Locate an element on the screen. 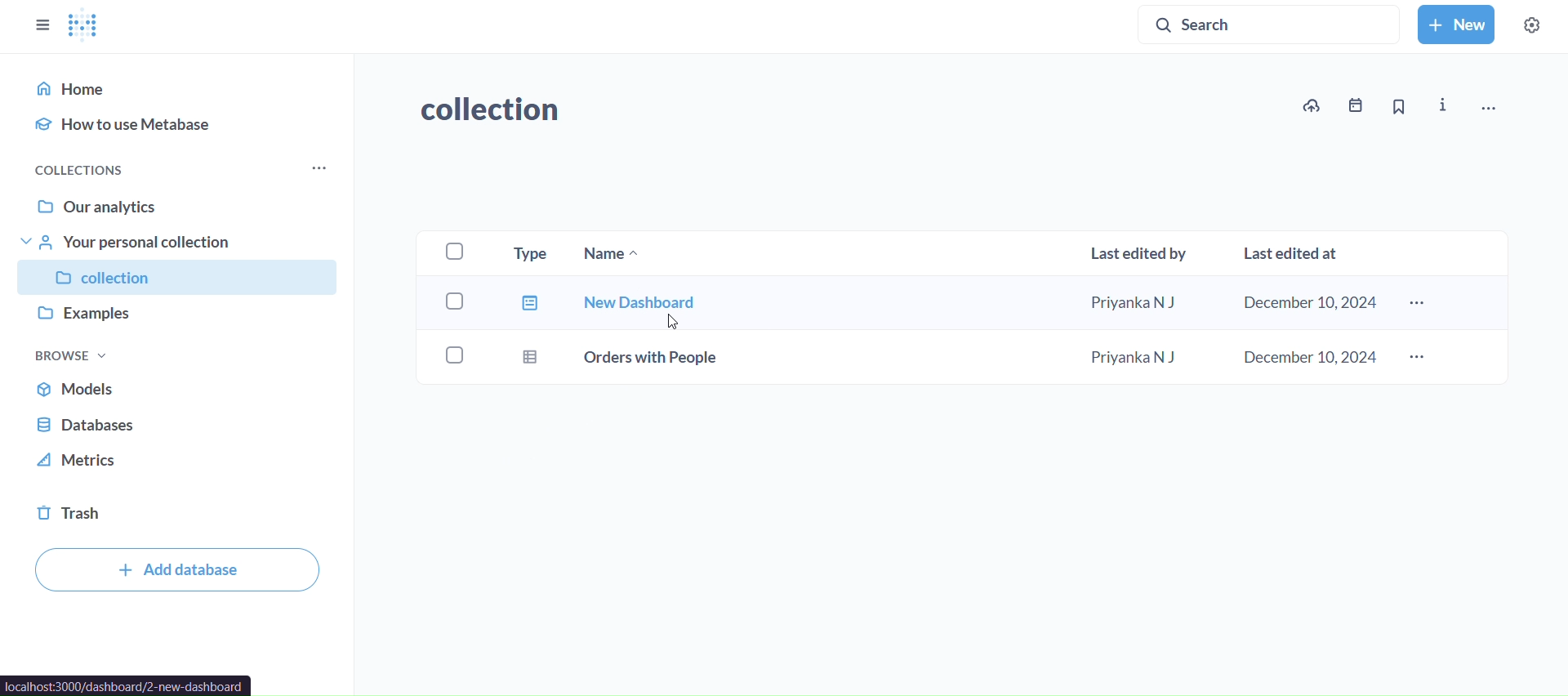 The image size is (1568, 696). browse is located at coordinates (84, 355).